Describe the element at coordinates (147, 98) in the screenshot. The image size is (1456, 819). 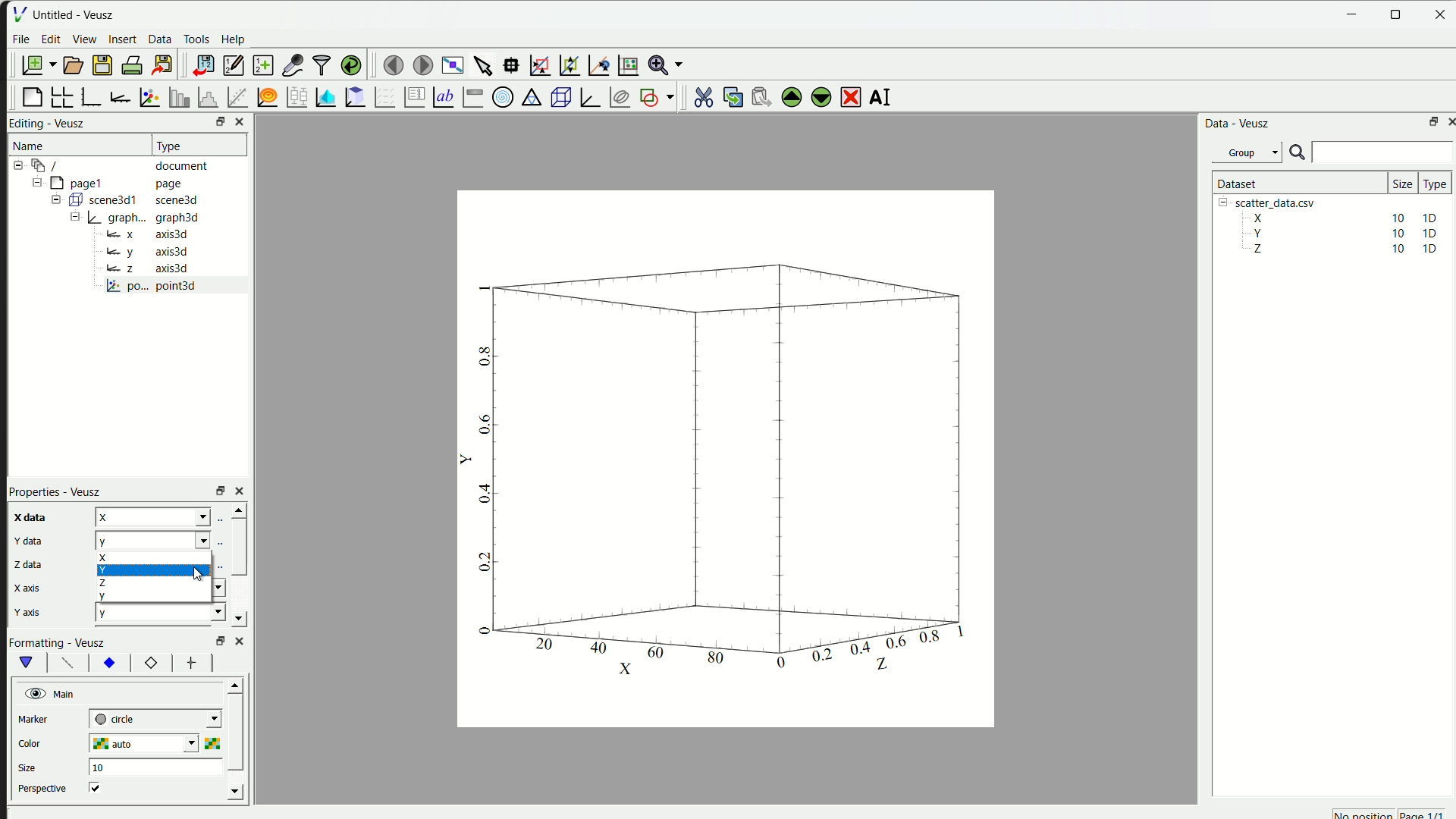
I see `plot points` at that location.